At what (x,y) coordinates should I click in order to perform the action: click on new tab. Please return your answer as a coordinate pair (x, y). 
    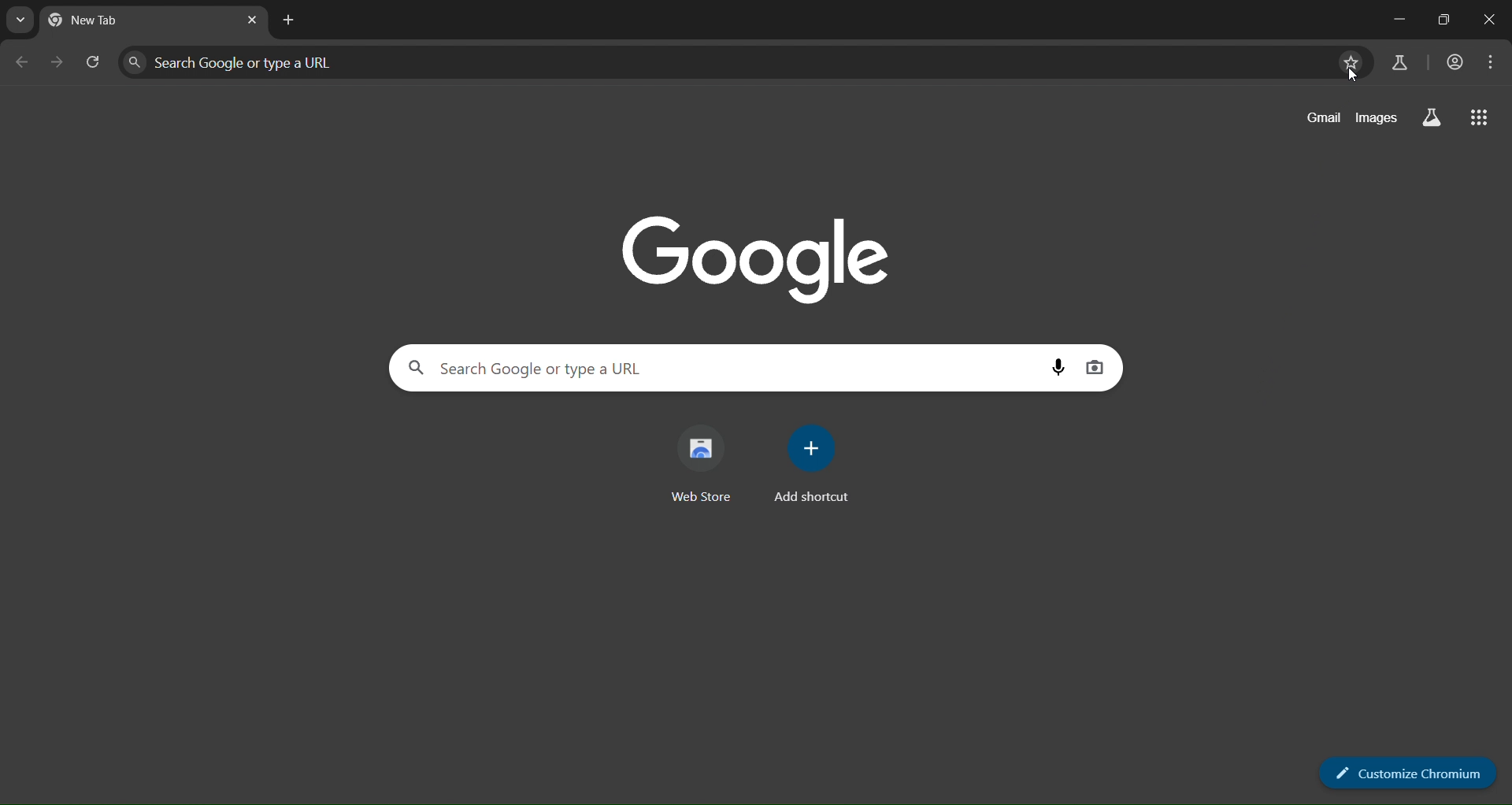
    Looking at the image, I should click on (138, 20).